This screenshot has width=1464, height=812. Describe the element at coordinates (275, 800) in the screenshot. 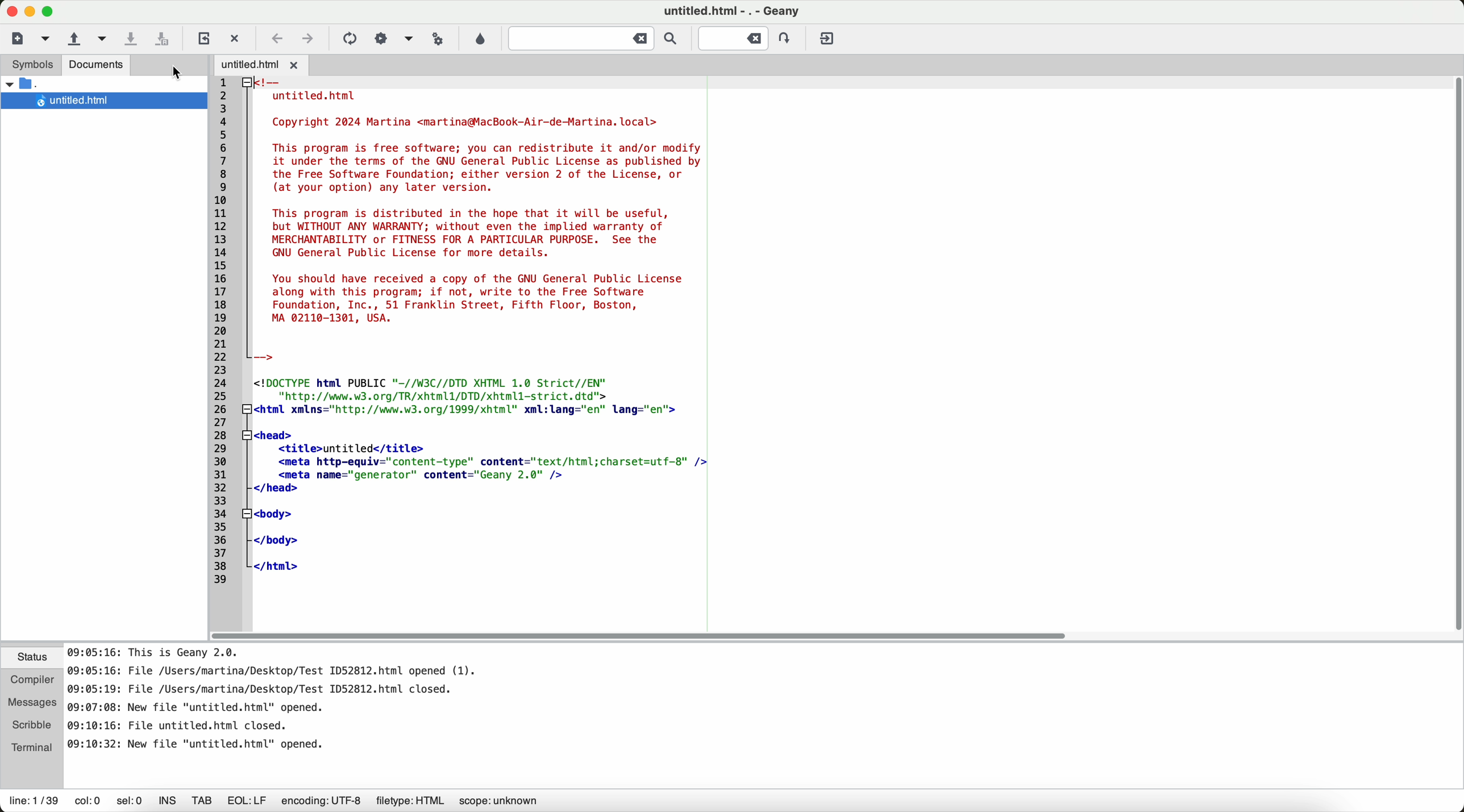

I see `information` at that location.